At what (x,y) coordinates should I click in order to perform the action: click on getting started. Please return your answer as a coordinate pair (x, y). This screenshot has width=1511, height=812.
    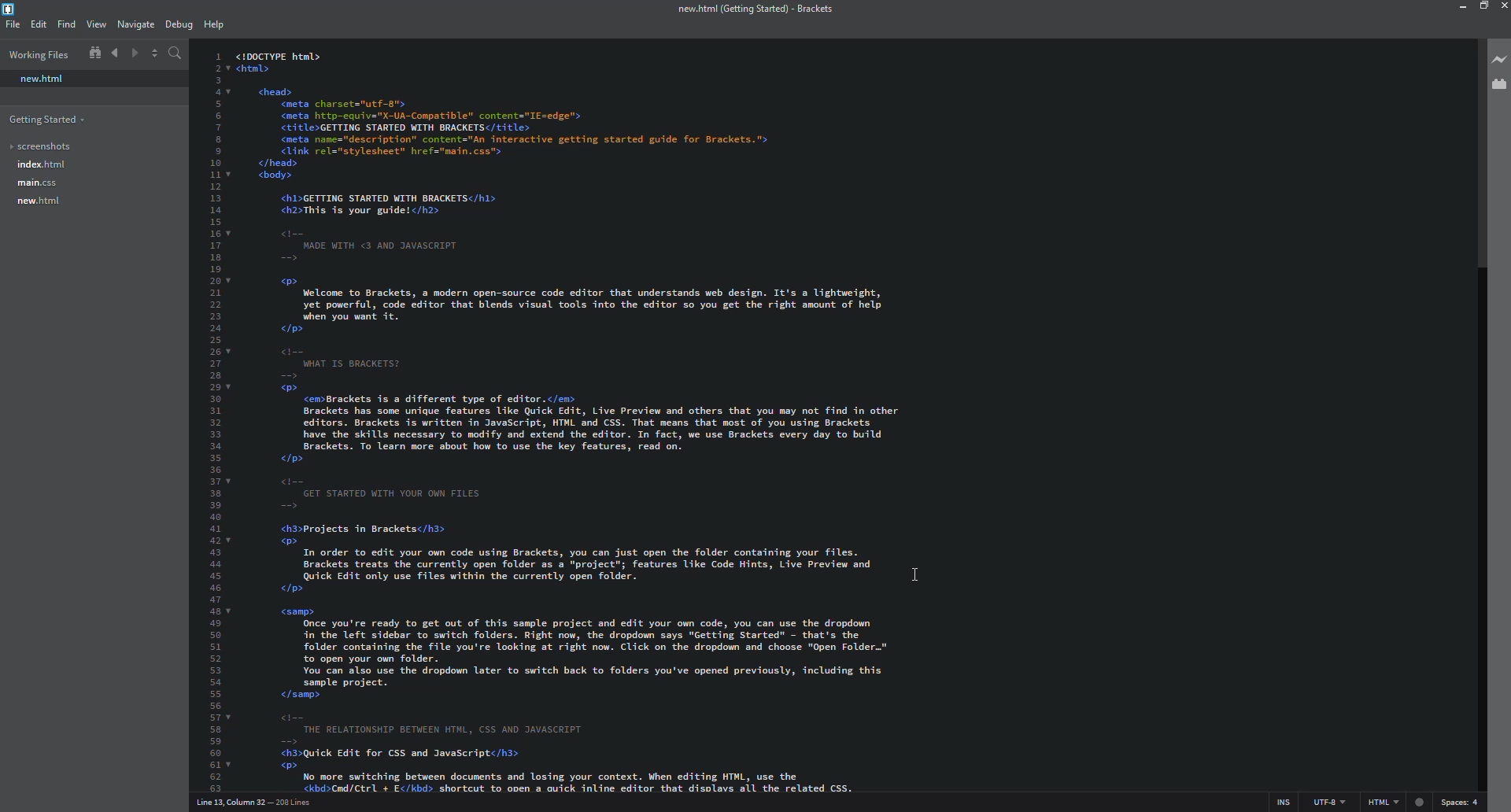
    Looking at the image, I should click on (48, 120).